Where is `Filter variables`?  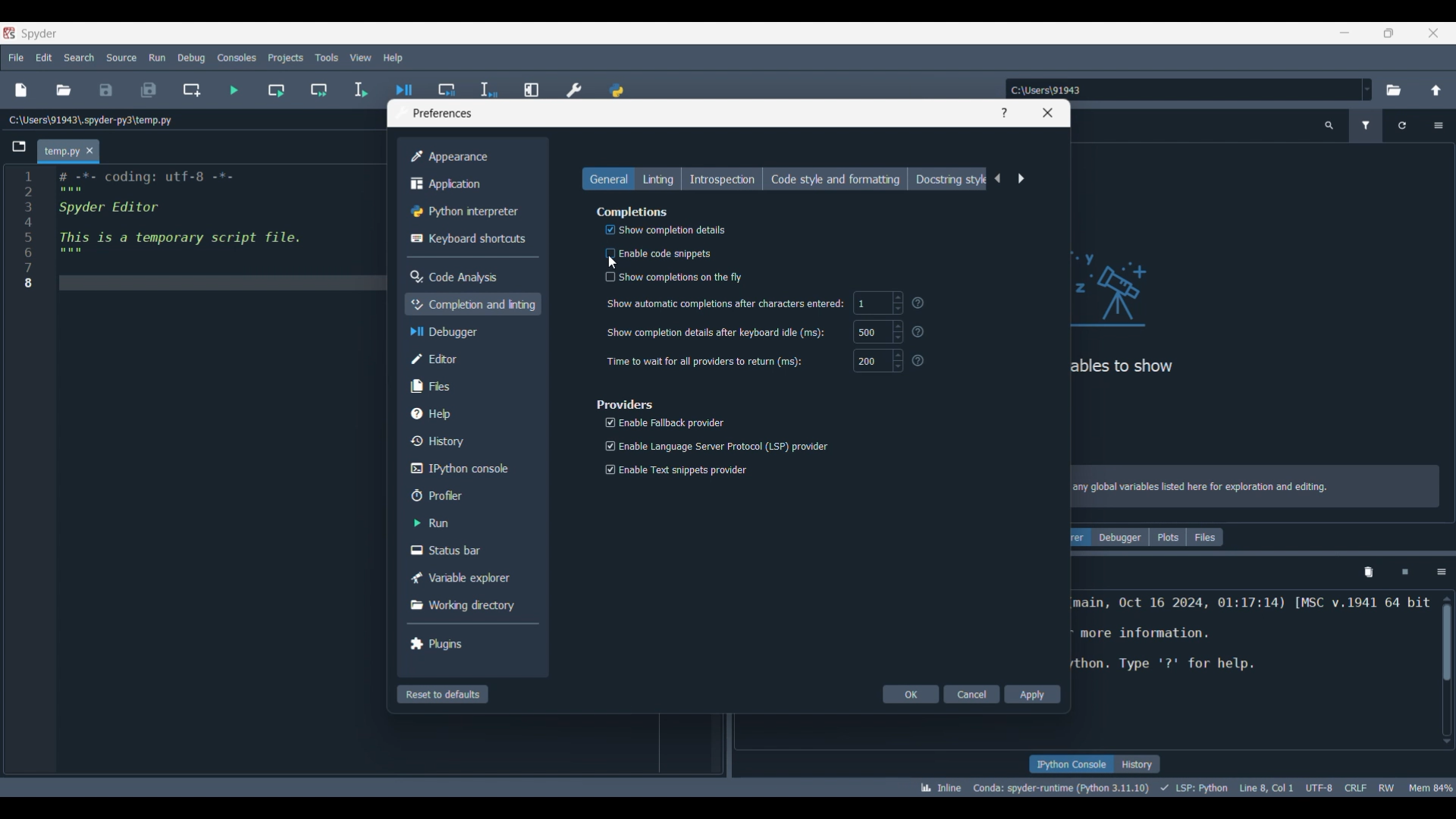 Filter variables is located at coordinates (1367, 126).